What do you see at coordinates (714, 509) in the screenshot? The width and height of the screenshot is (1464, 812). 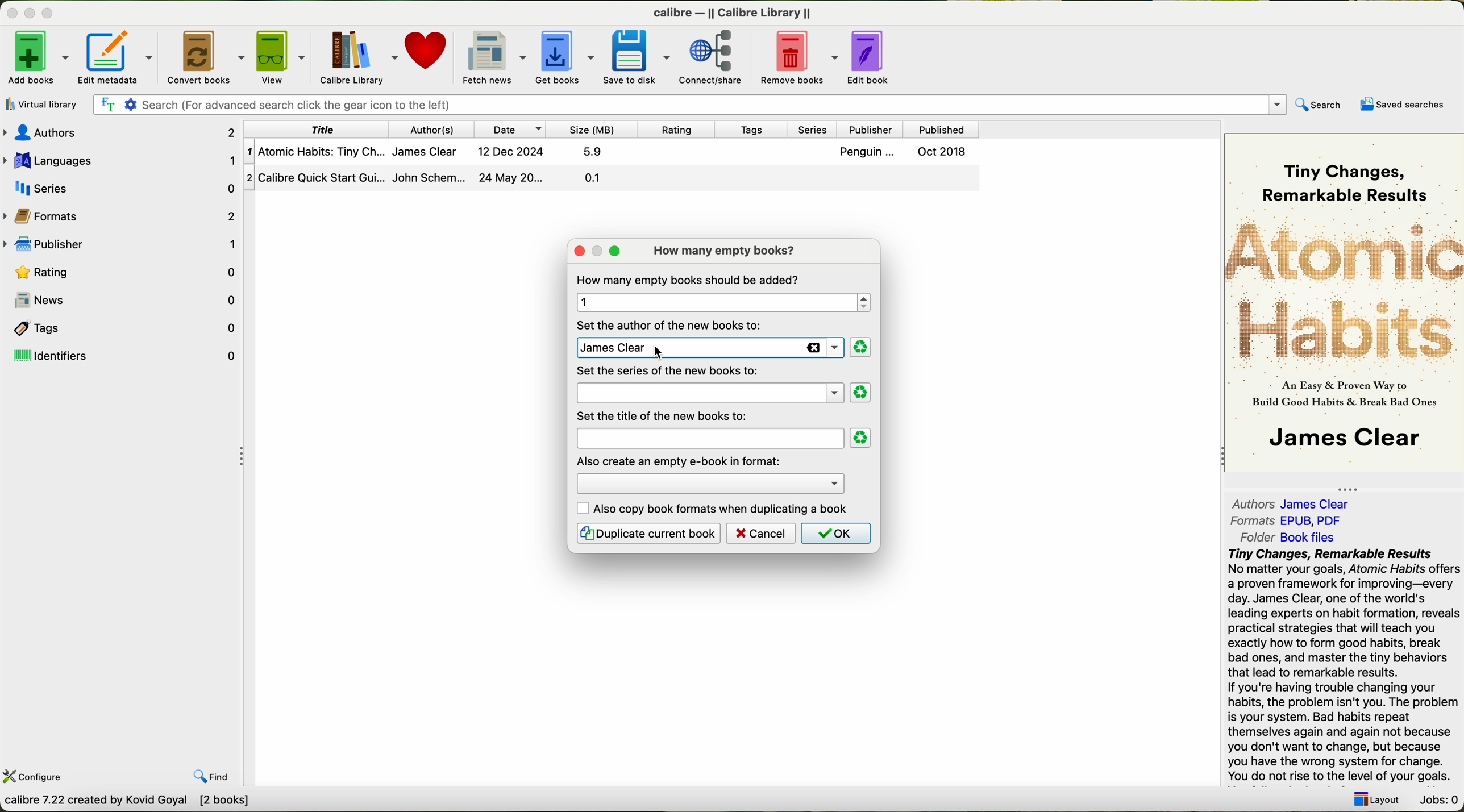 I see `also copy book formats when duplicating a book` at bounding box center [714, 509].